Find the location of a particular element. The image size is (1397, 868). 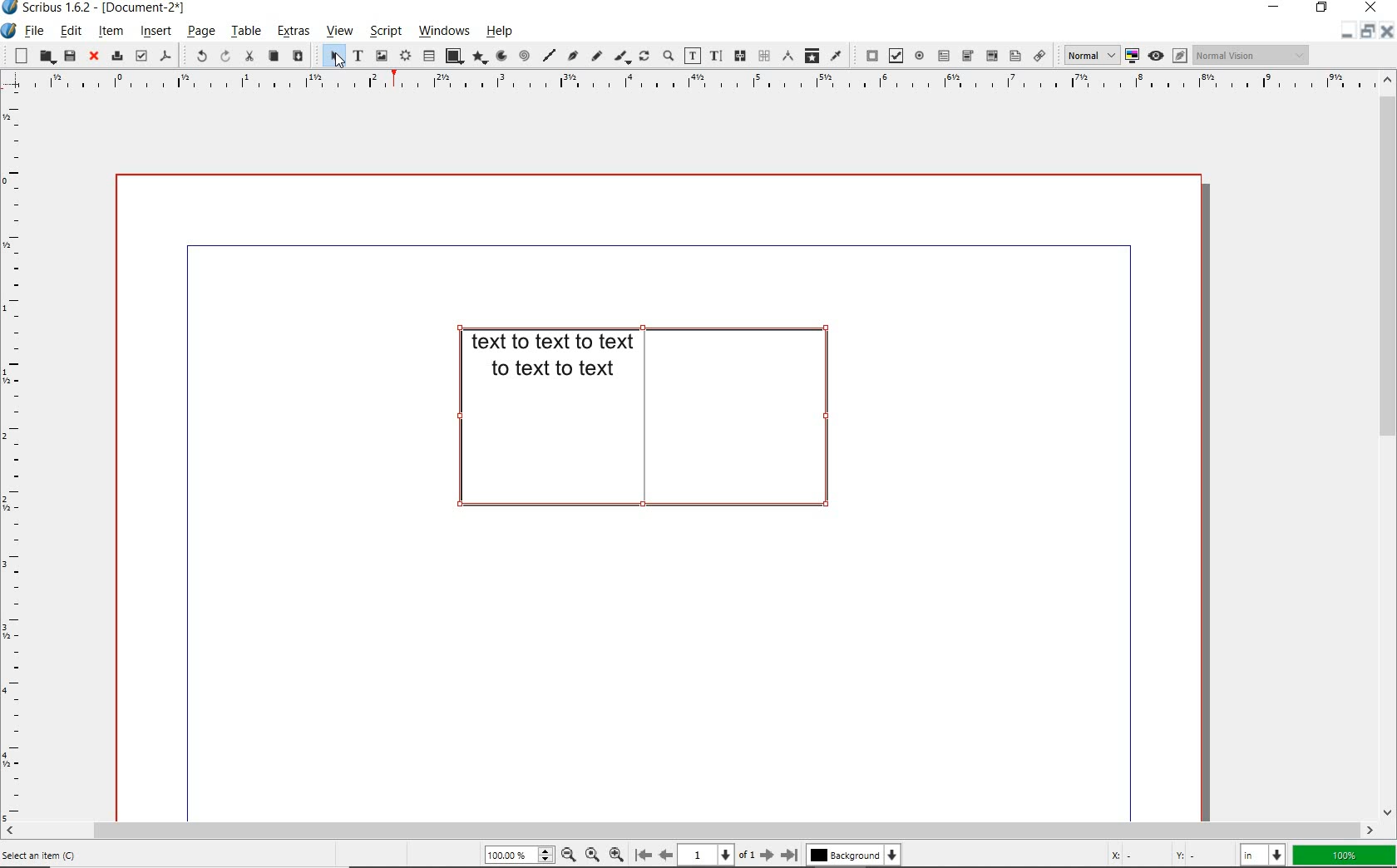

select unit is located at coordinates (1261, 854).